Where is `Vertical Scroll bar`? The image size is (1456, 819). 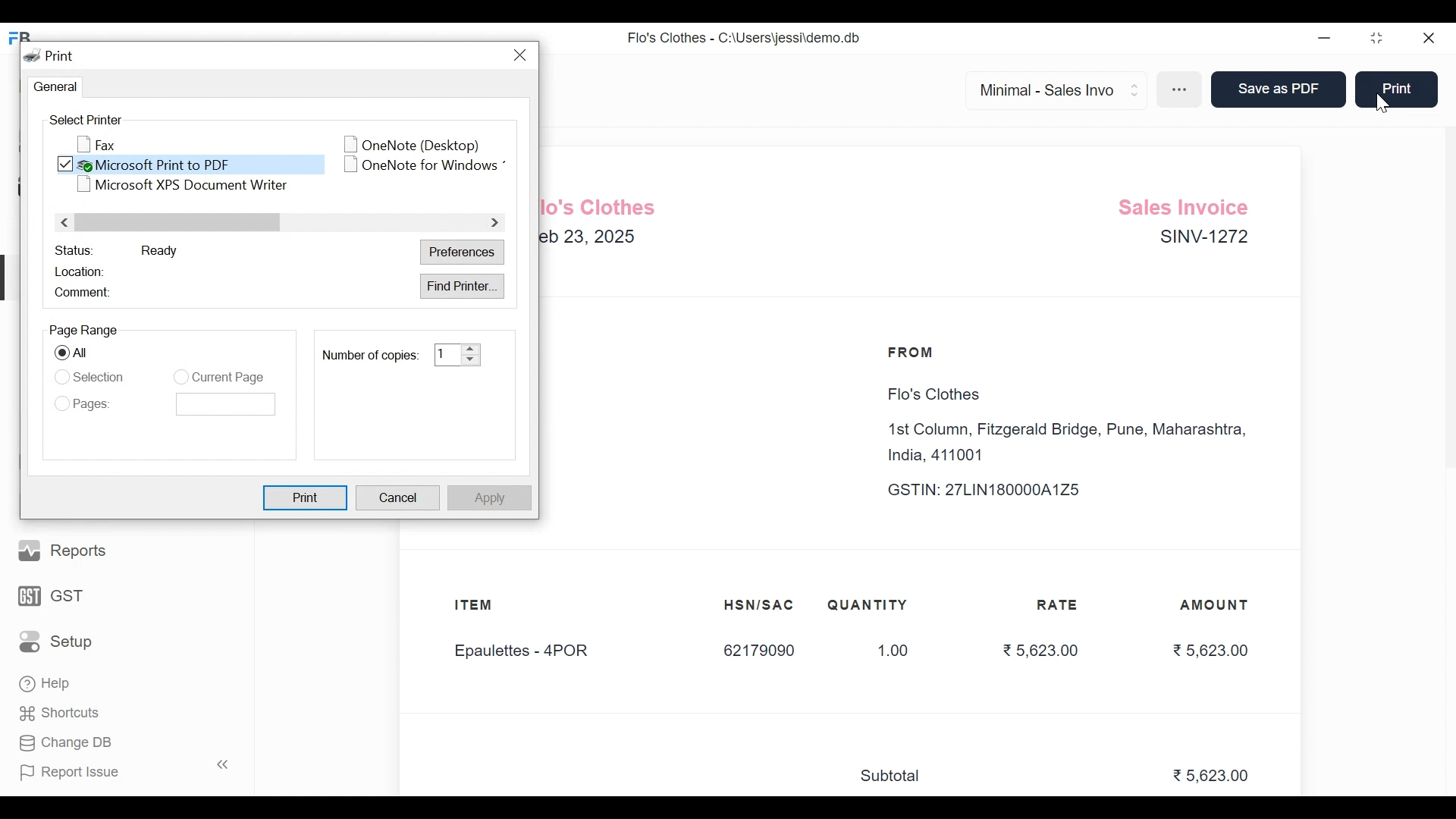
Vertical Scroll bar is located at coordinates (180, 223).